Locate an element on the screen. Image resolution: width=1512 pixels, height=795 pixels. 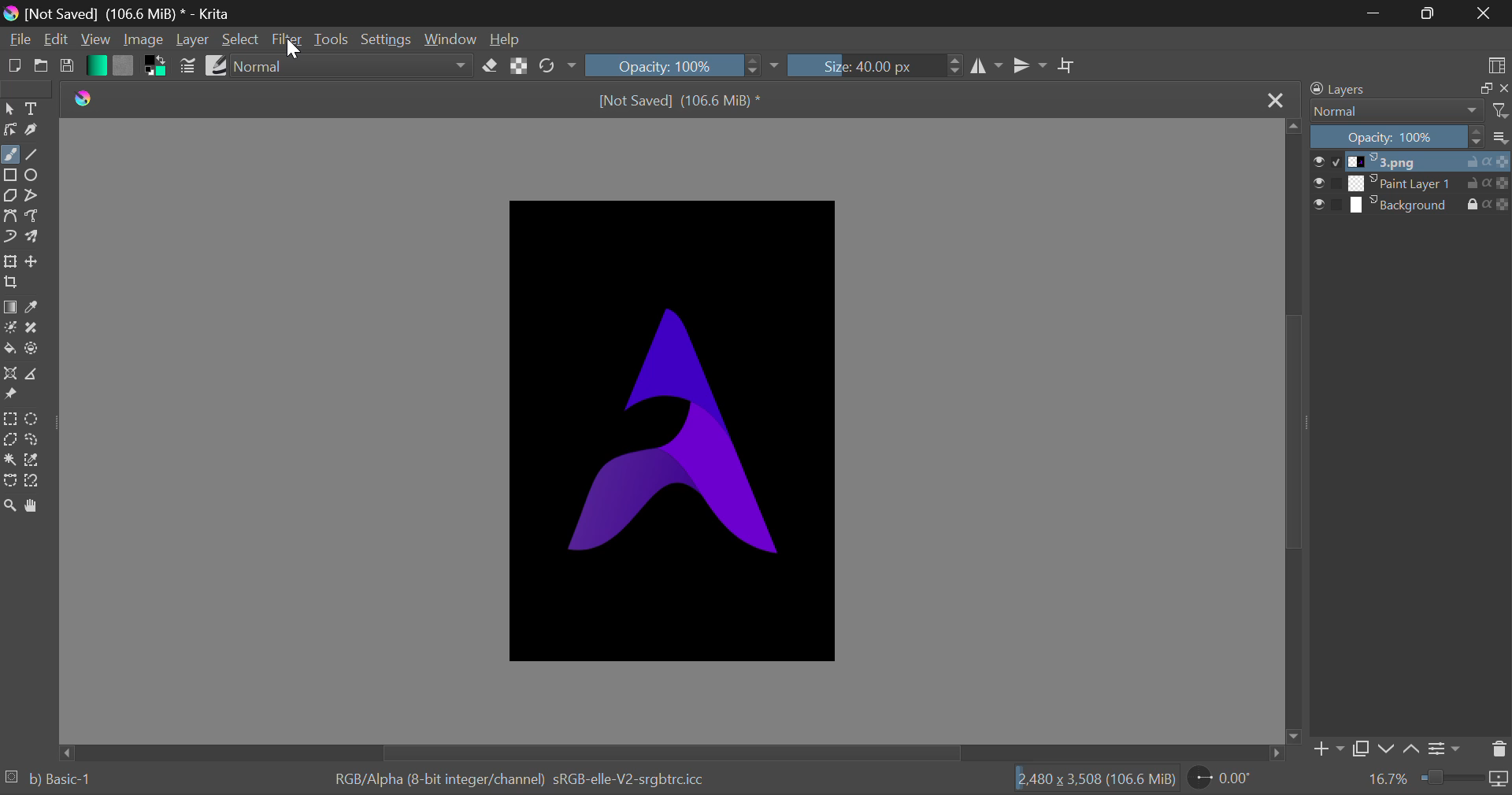
2480 x 3,508 (106.6 MiB) is located at coordinates (1089, 782).